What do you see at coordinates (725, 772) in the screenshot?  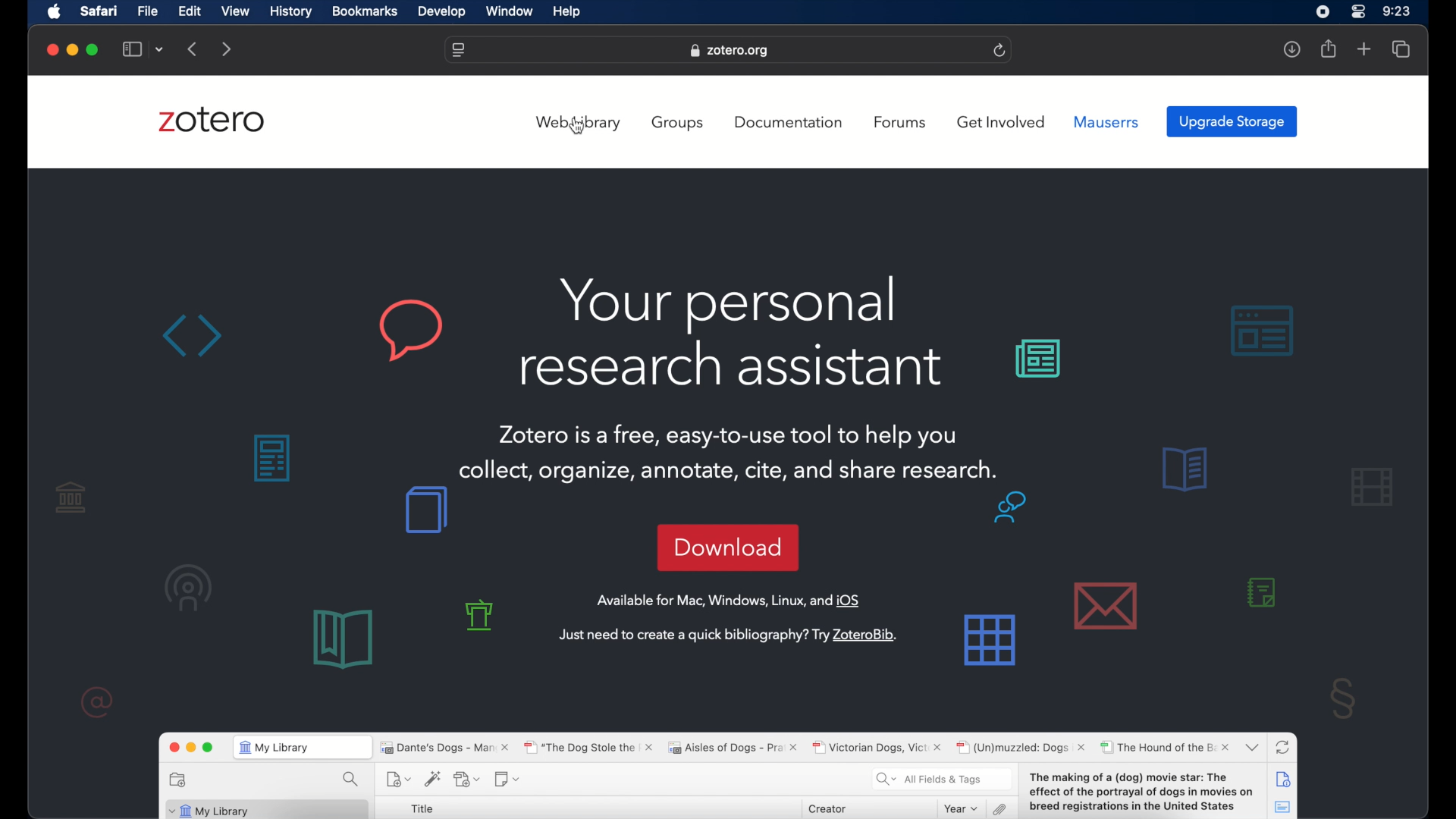 I see `software preview` at bounding box center [725, 772].